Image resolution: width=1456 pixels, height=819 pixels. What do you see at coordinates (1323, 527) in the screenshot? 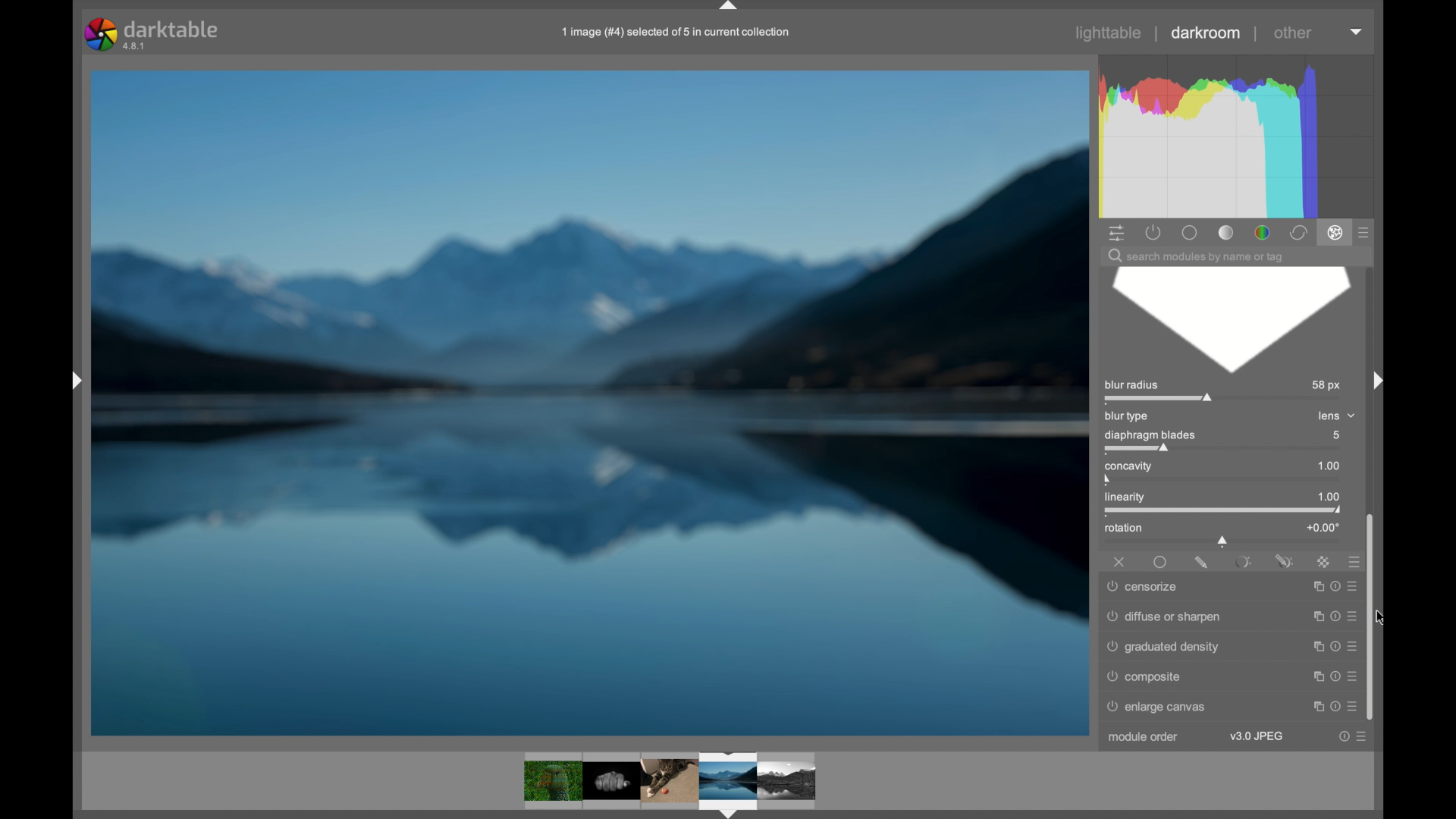
I see `+0.00` at bounding box center [1323, 527].